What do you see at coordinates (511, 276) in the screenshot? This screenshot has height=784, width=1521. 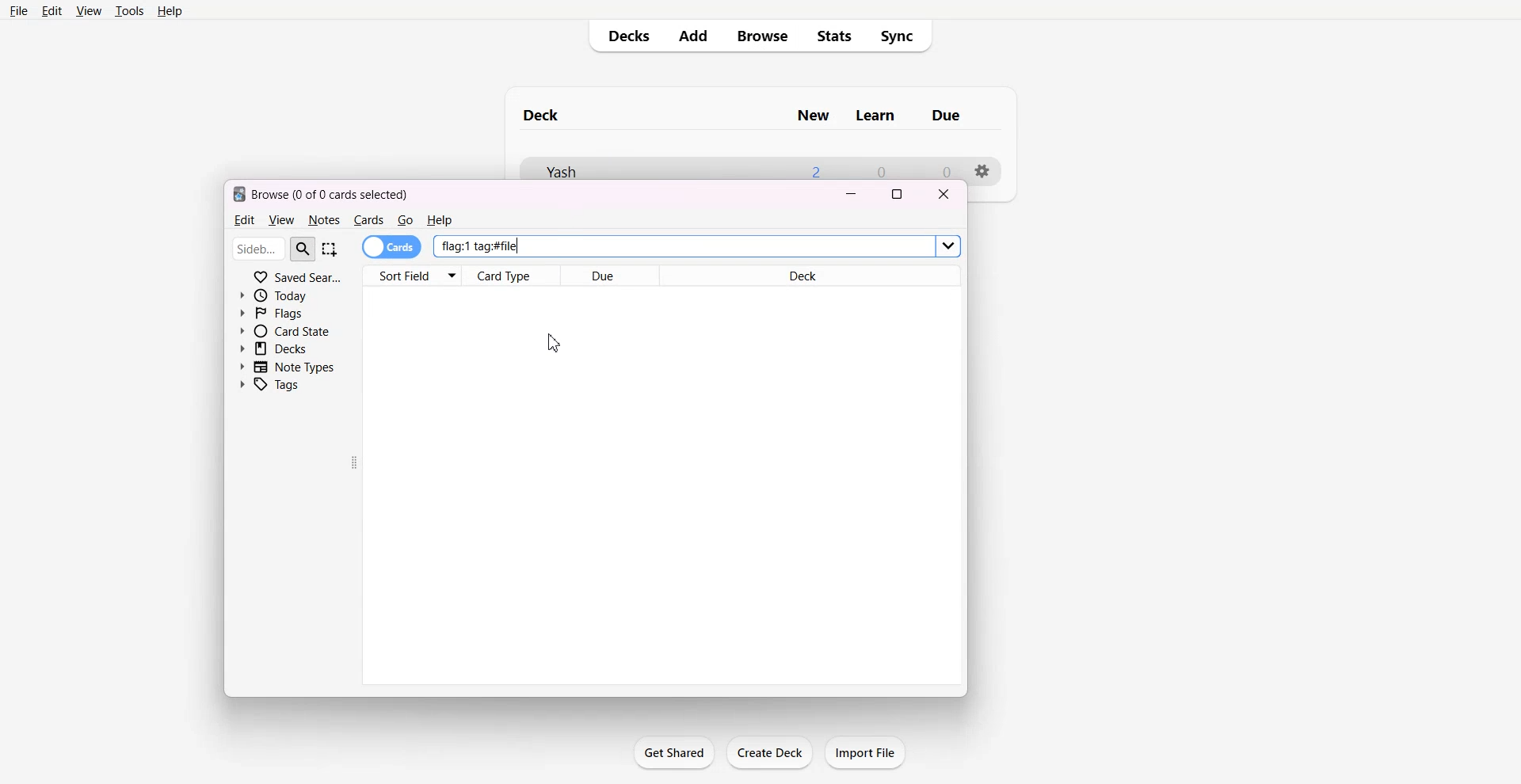 I see `Card Type` at bounding box center [511, 276].